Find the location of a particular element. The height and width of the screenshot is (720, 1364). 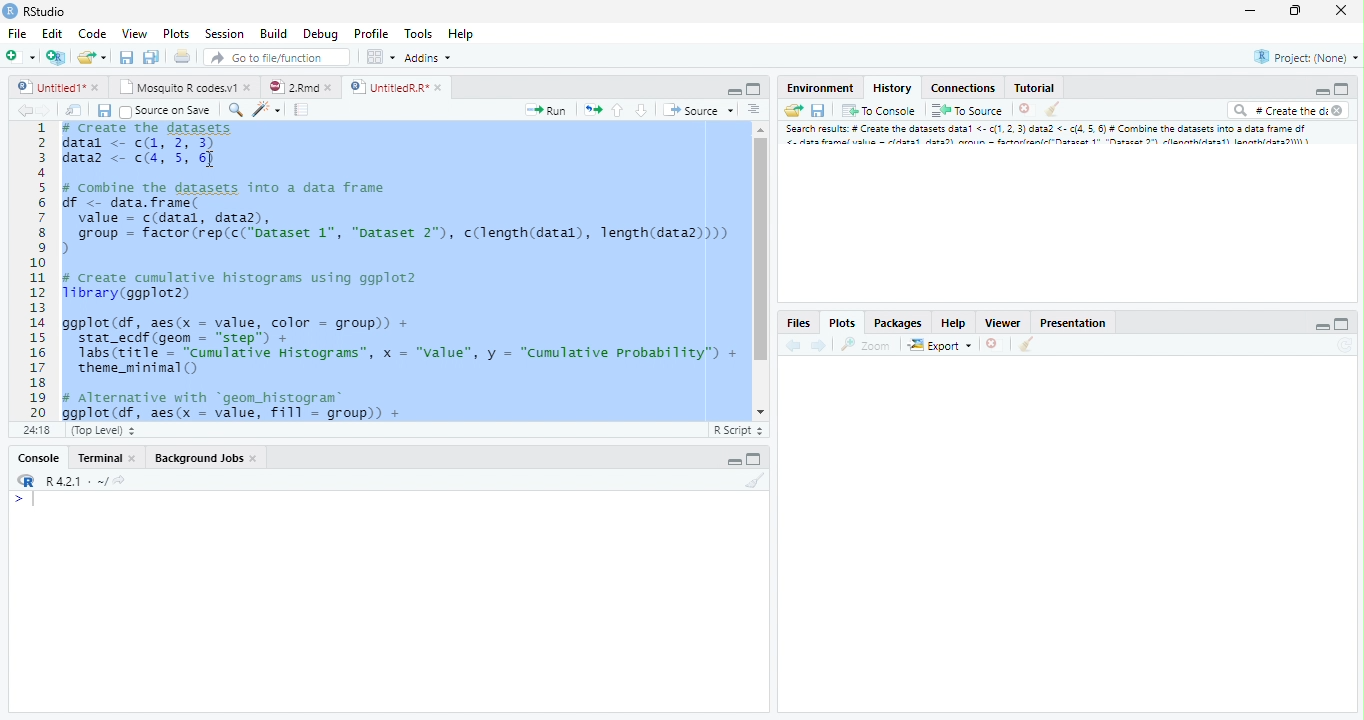

Untitled is located at coordinates (61, 85).